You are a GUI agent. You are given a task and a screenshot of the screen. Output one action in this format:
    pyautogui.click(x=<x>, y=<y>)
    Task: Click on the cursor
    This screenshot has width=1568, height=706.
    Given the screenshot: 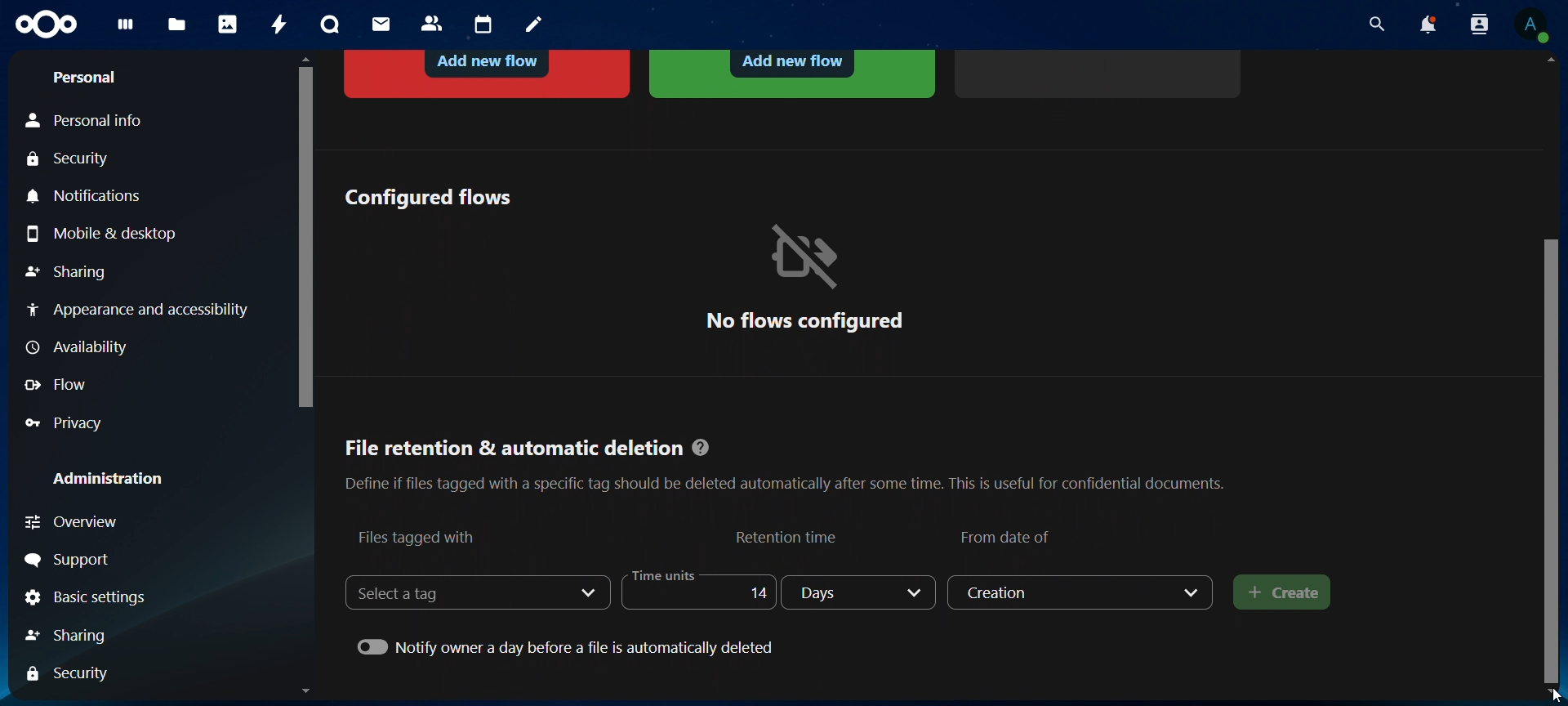 What is the action you would take?
    pyautogui.click(x=1543, y=696)
    